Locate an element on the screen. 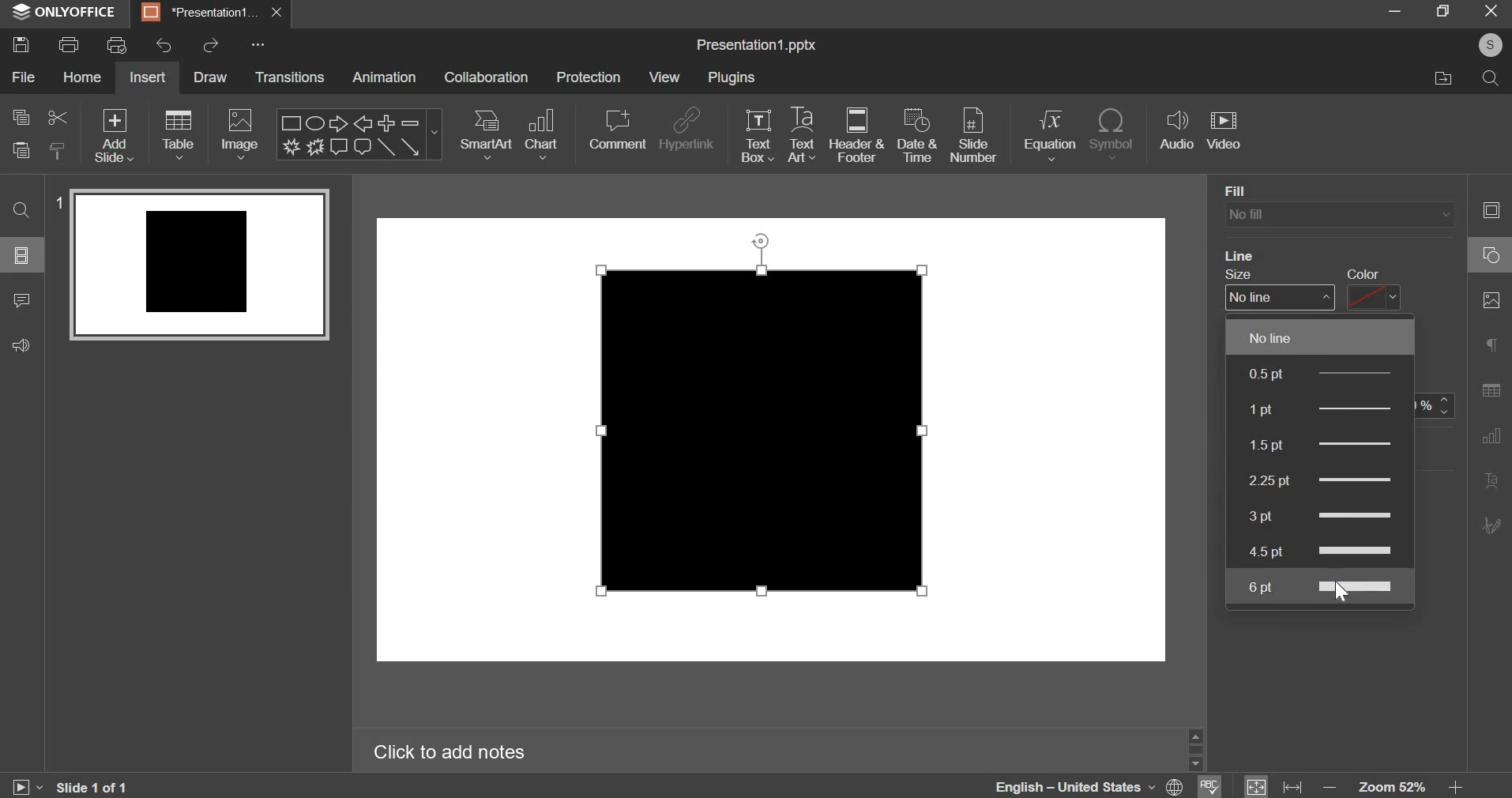 The height and width of the screenshot is (798, 1512). slide menu is located at coordinates (23, 254).